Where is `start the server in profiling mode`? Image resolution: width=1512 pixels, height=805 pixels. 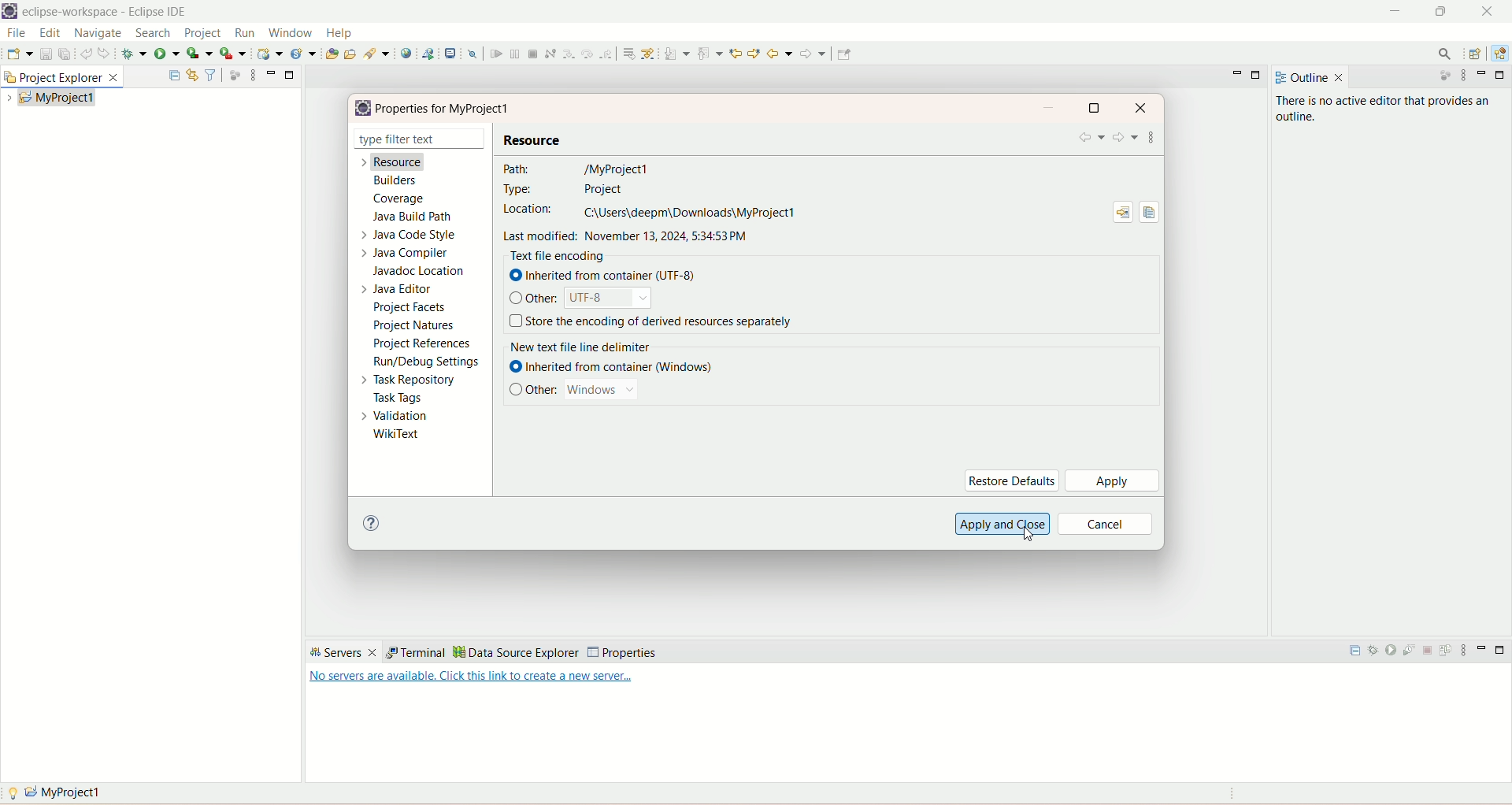
start the server in profiling mode is located at coordinates (1412, 653).